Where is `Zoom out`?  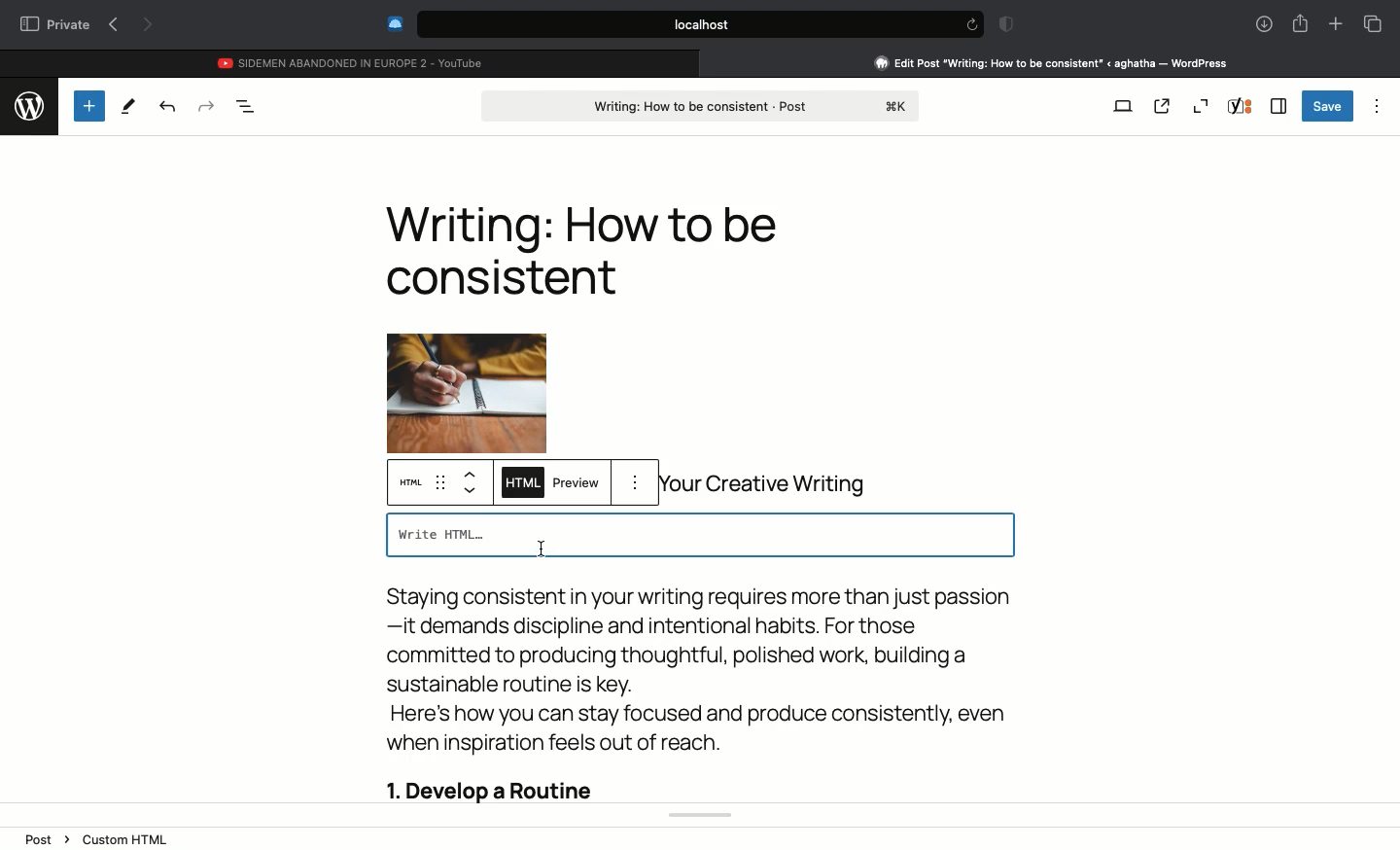
Zoom out is located at coordinates (1200, 106).